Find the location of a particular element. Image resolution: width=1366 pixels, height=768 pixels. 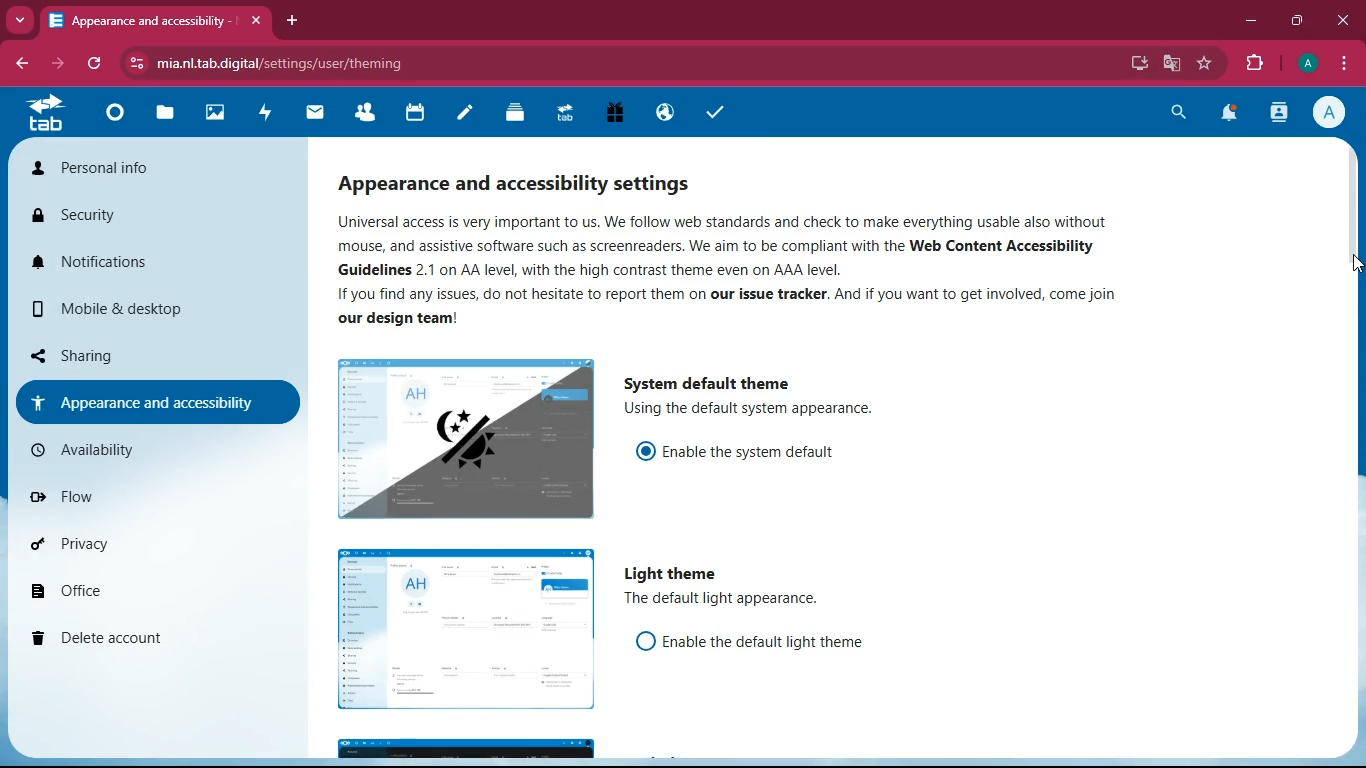

gift is located at coordinates (614, 112).